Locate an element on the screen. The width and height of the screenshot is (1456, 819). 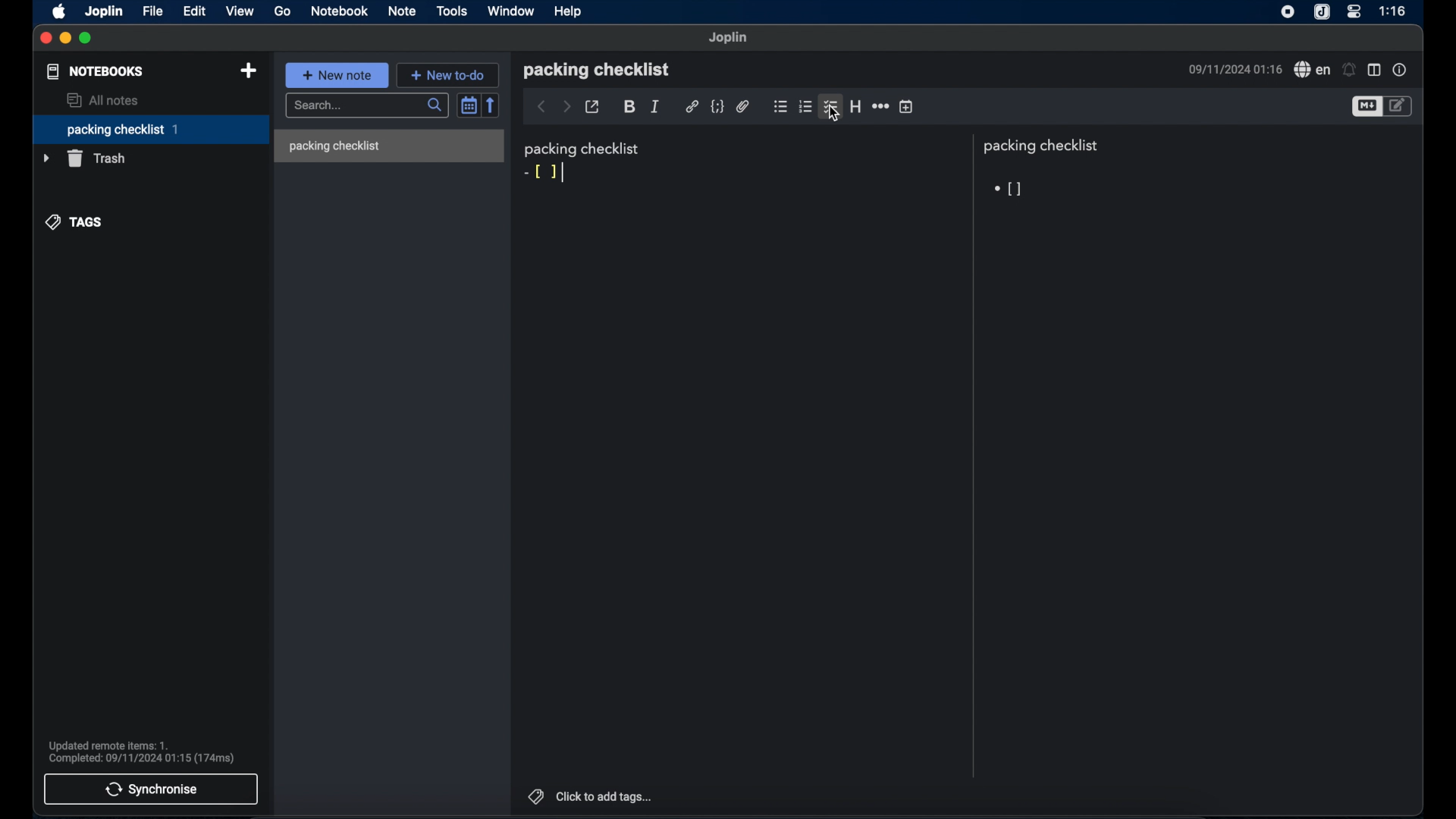
file is located at coordinates (154, 11).